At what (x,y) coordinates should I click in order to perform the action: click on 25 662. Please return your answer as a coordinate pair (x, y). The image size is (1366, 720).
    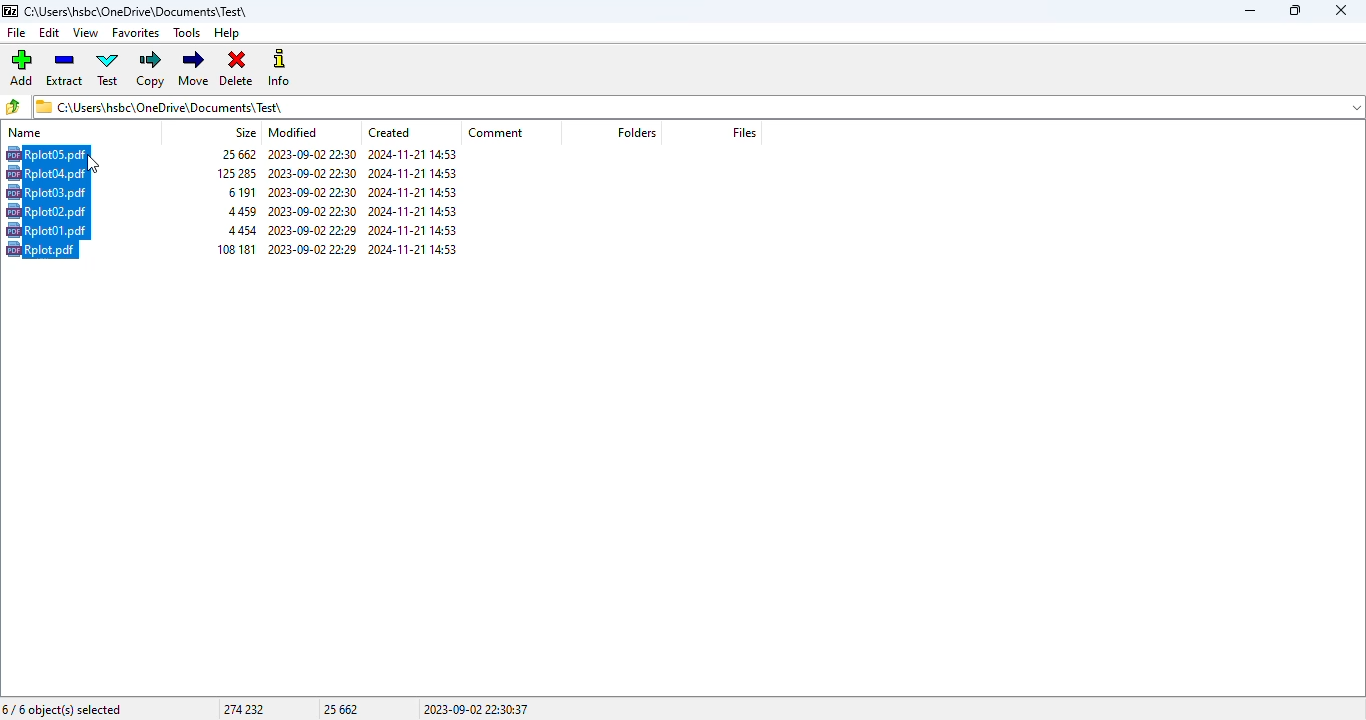
    Looking at the image, I should click on (342, 709).